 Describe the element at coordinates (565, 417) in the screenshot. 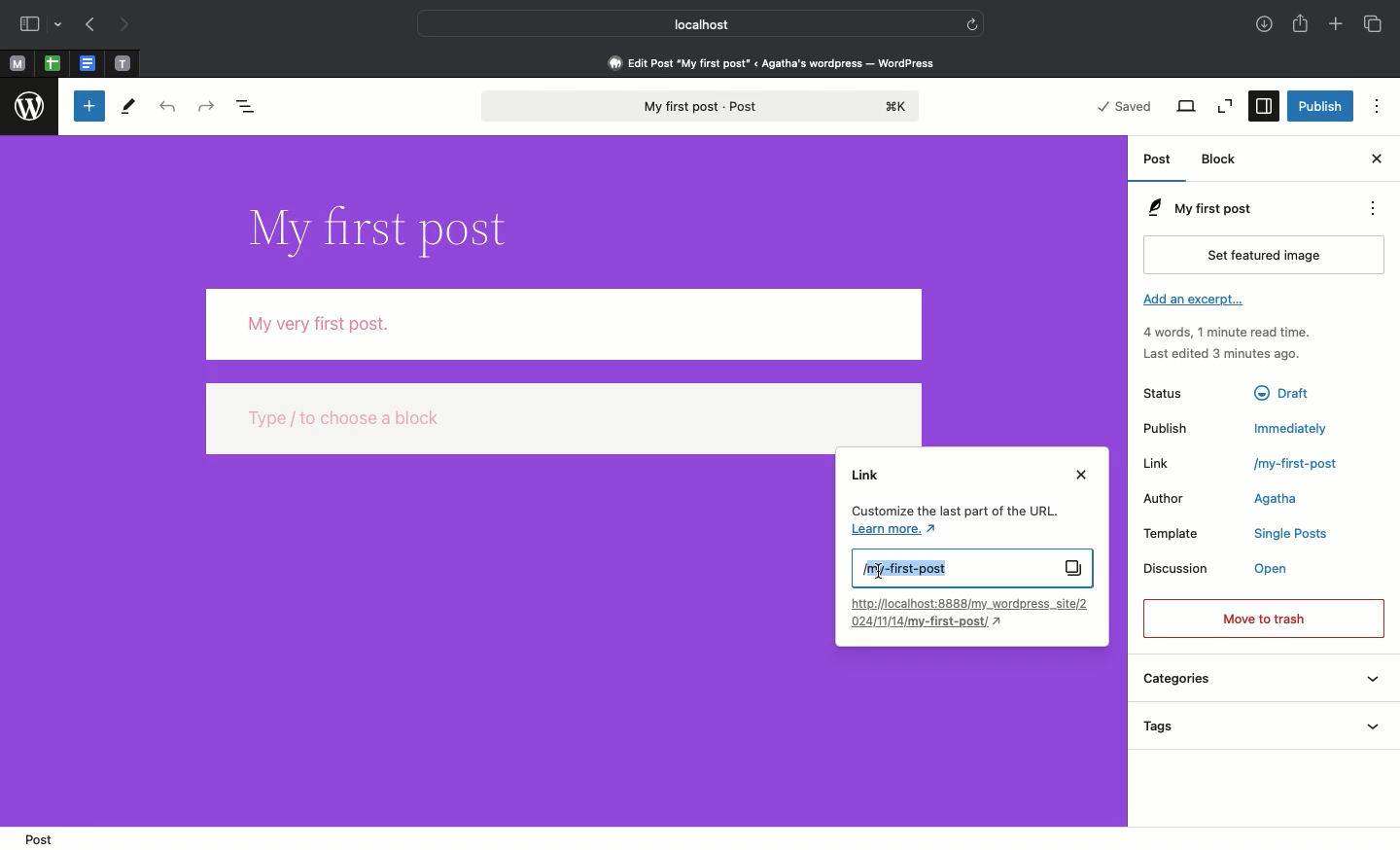

I see `type / to choose a block` at that location.